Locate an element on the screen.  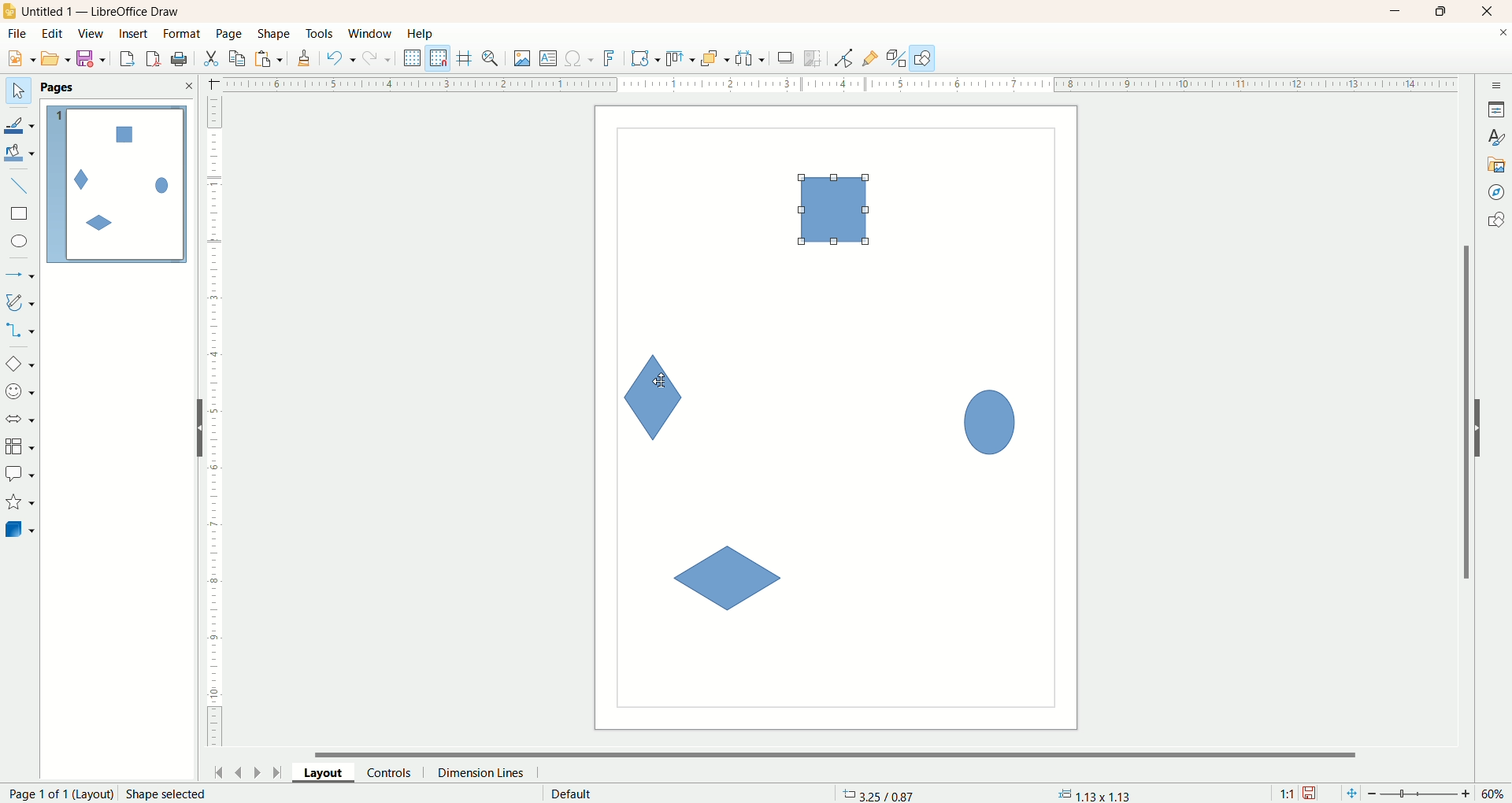
fontwork text is located at coordinates (612, 59).